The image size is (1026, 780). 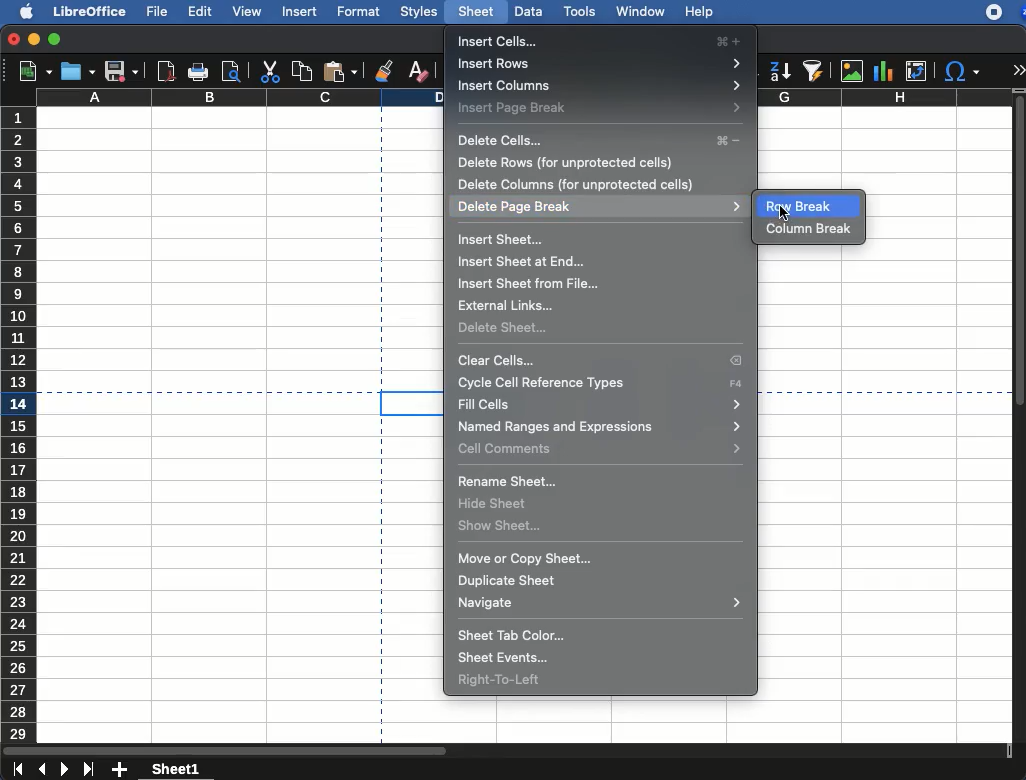 What do you see at coordinates (639, 13) in the screenshot?
I see `window` at bounding box center [639, 13].